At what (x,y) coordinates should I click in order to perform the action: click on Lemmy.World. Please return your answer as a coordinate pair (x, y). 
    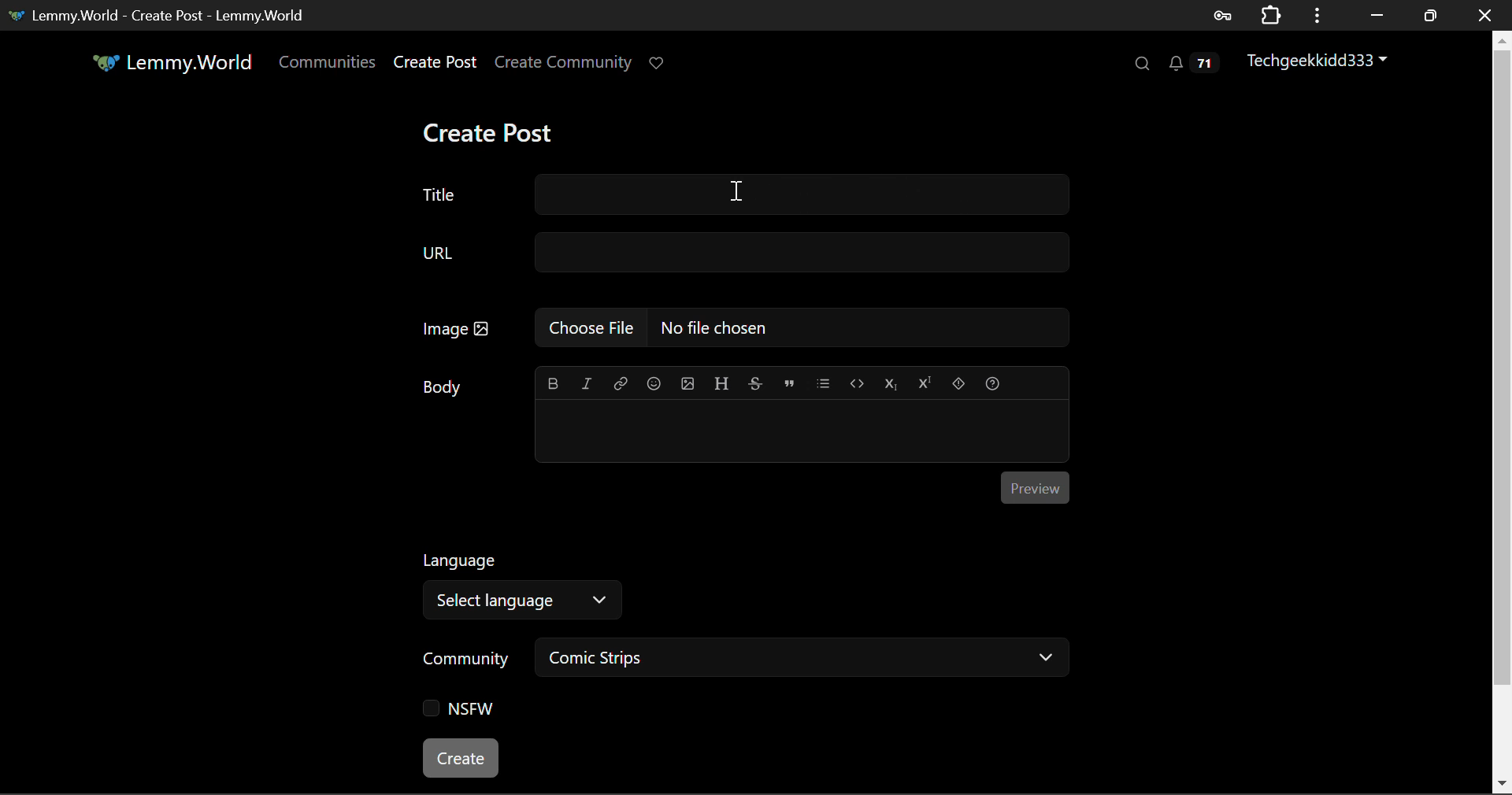
    Looking at the image, I should click on (170, 62).